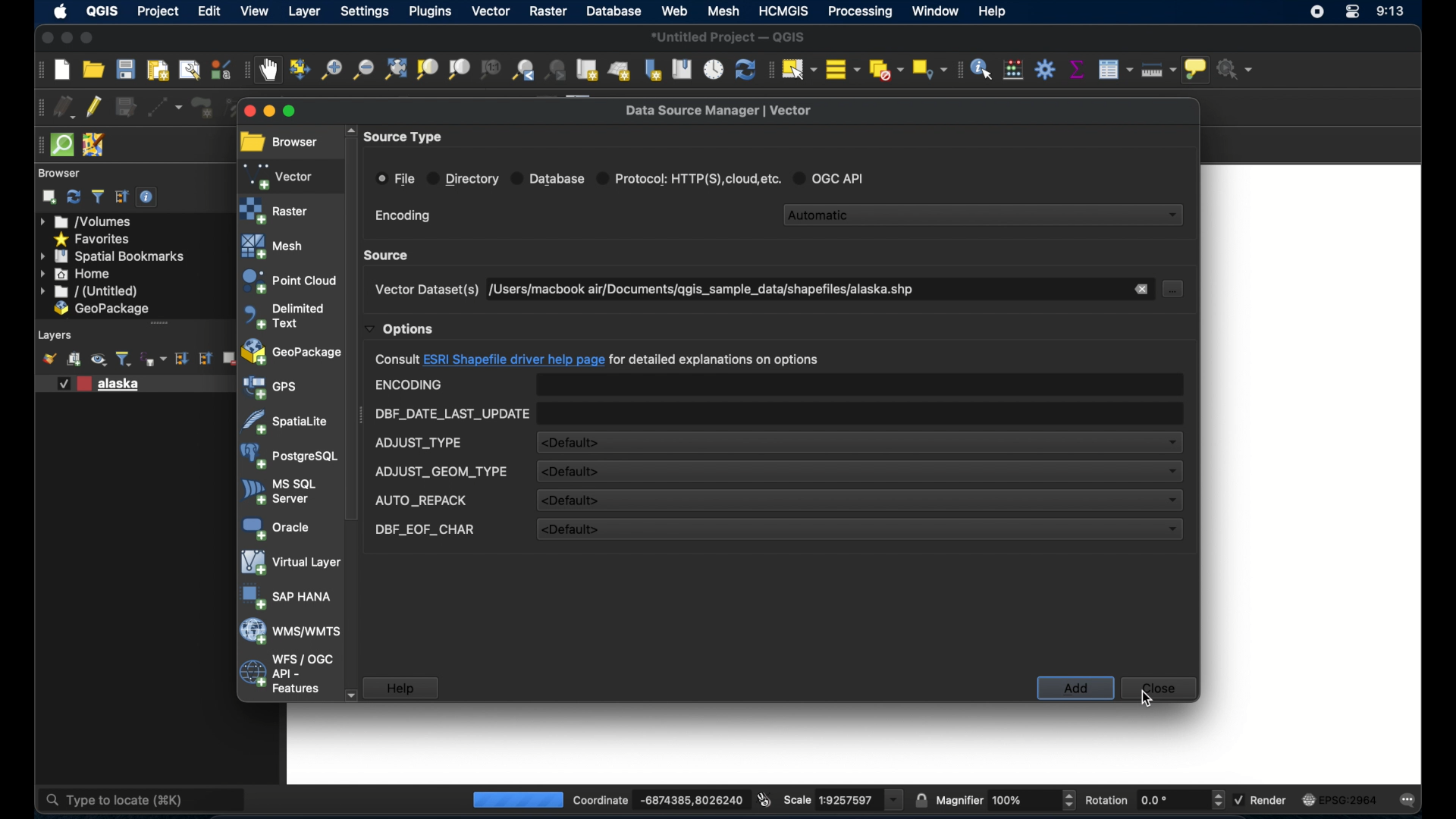  Describe the element at coordinates (998, 12) in the screenshot. I see `help` at that location.